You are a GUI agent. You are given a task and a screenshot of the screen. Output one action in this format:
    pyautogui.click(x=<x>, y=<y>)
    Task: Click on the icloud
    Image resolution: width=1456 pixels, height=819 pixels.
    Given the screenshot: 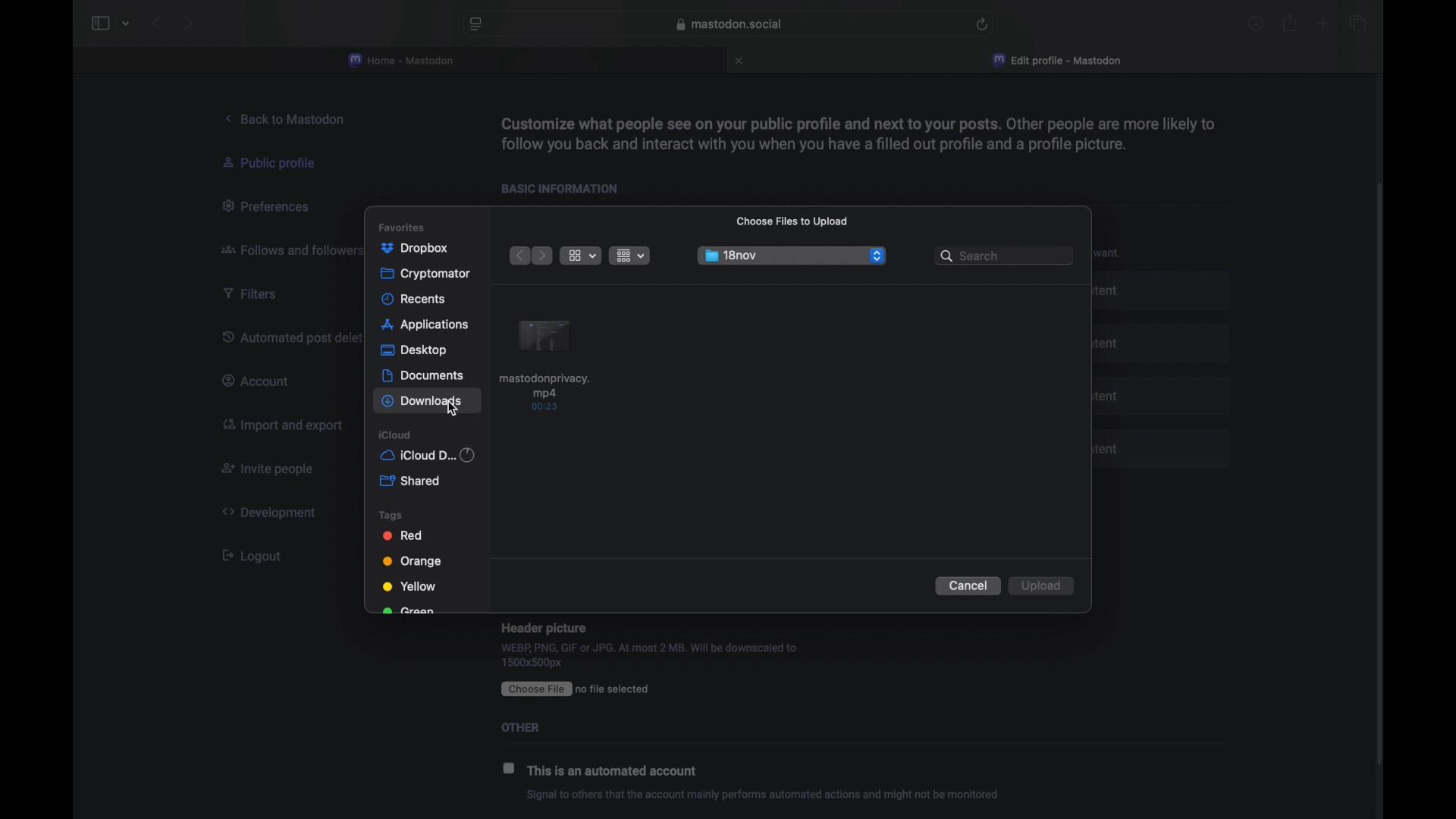 What is the action you would take?
    pyautogui.click(x=396, y=435)
    